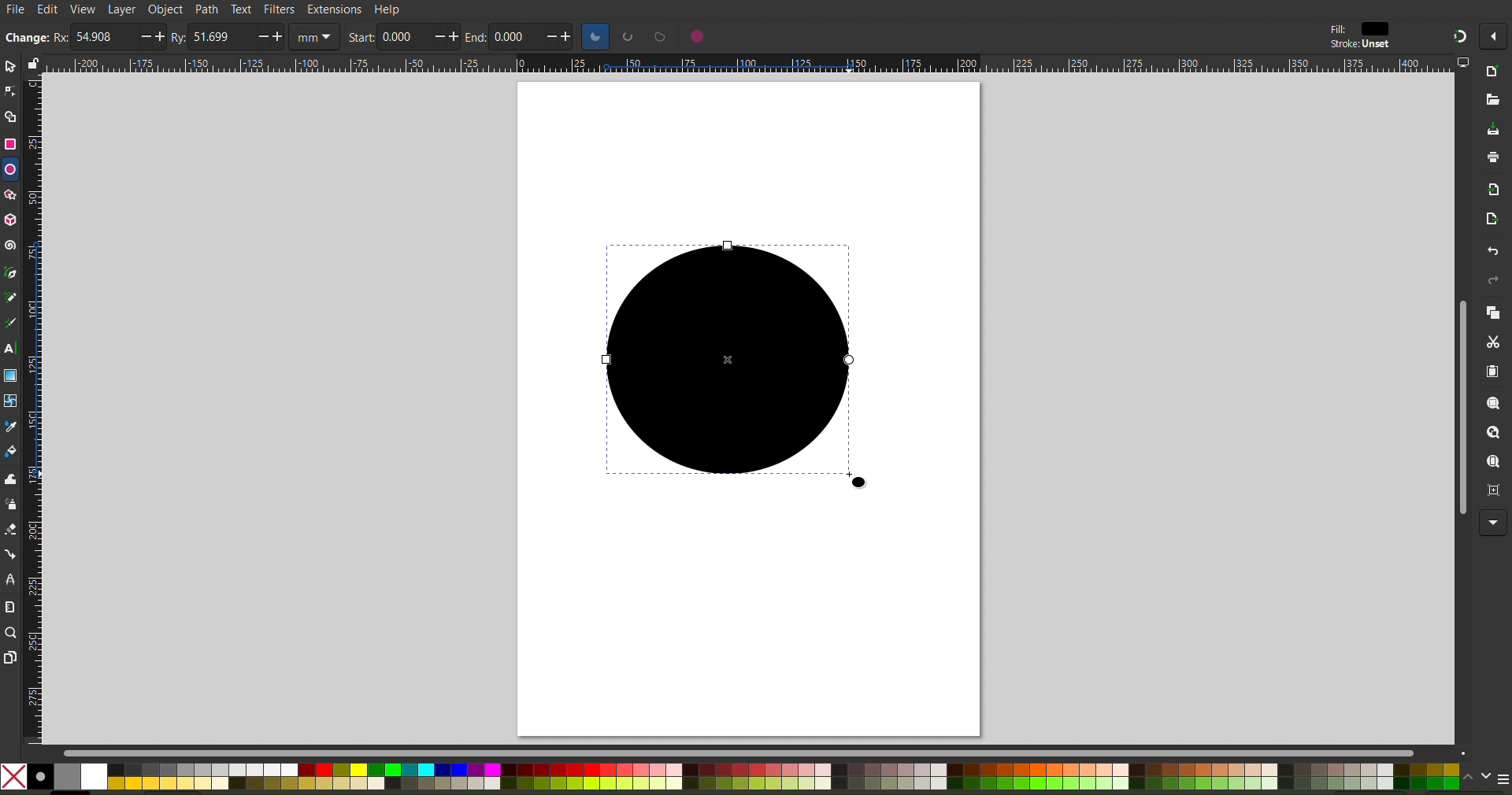 The height and width of the screenshot is (795, 1512). What do you see at coordinates (1490, 100) in the screenshot?
I see `Open` at bounding box center [1490, 100].